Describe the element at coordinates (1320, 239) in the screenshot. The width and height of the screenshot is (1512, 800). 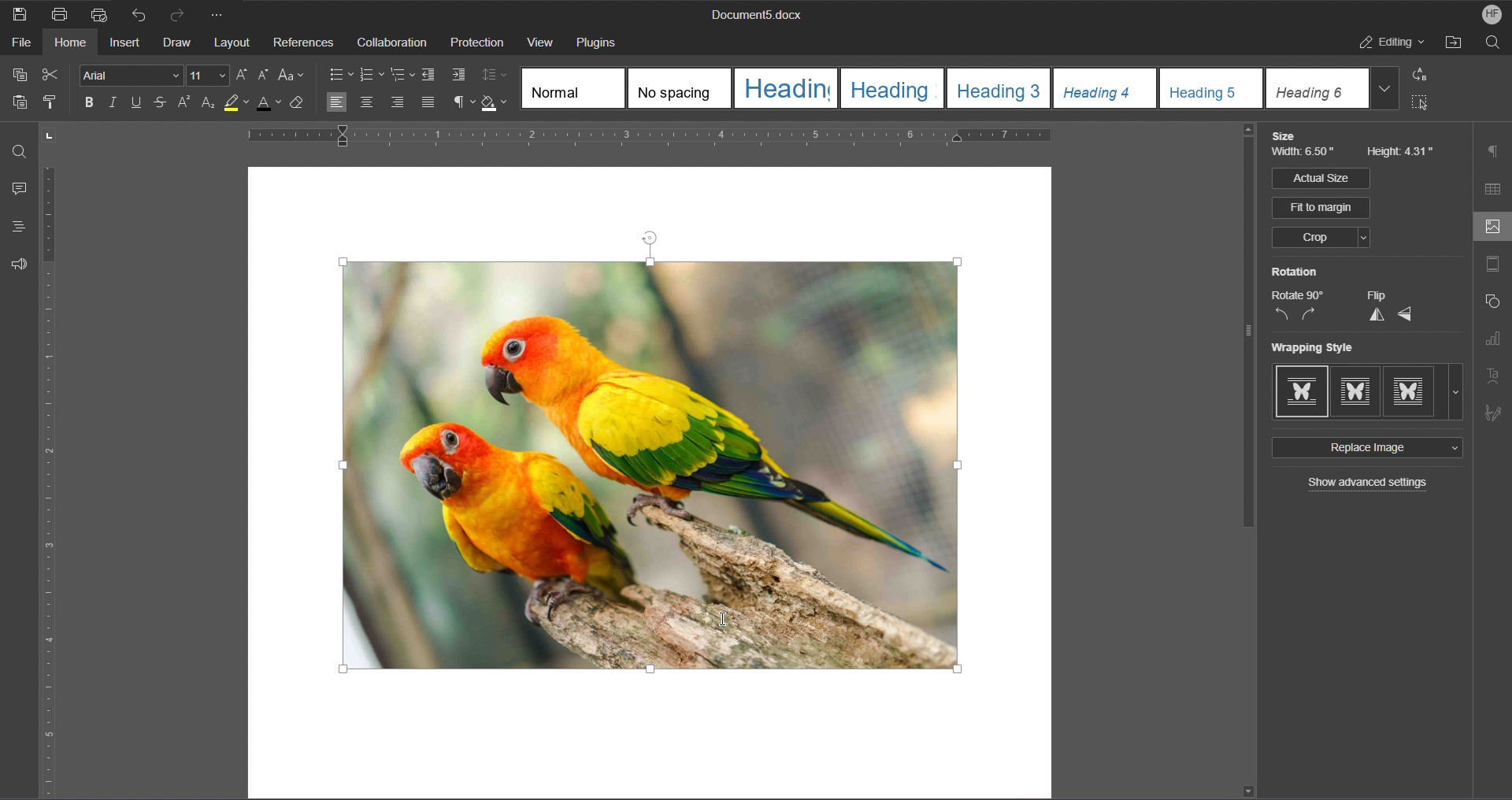
I see `Crop` at that location.